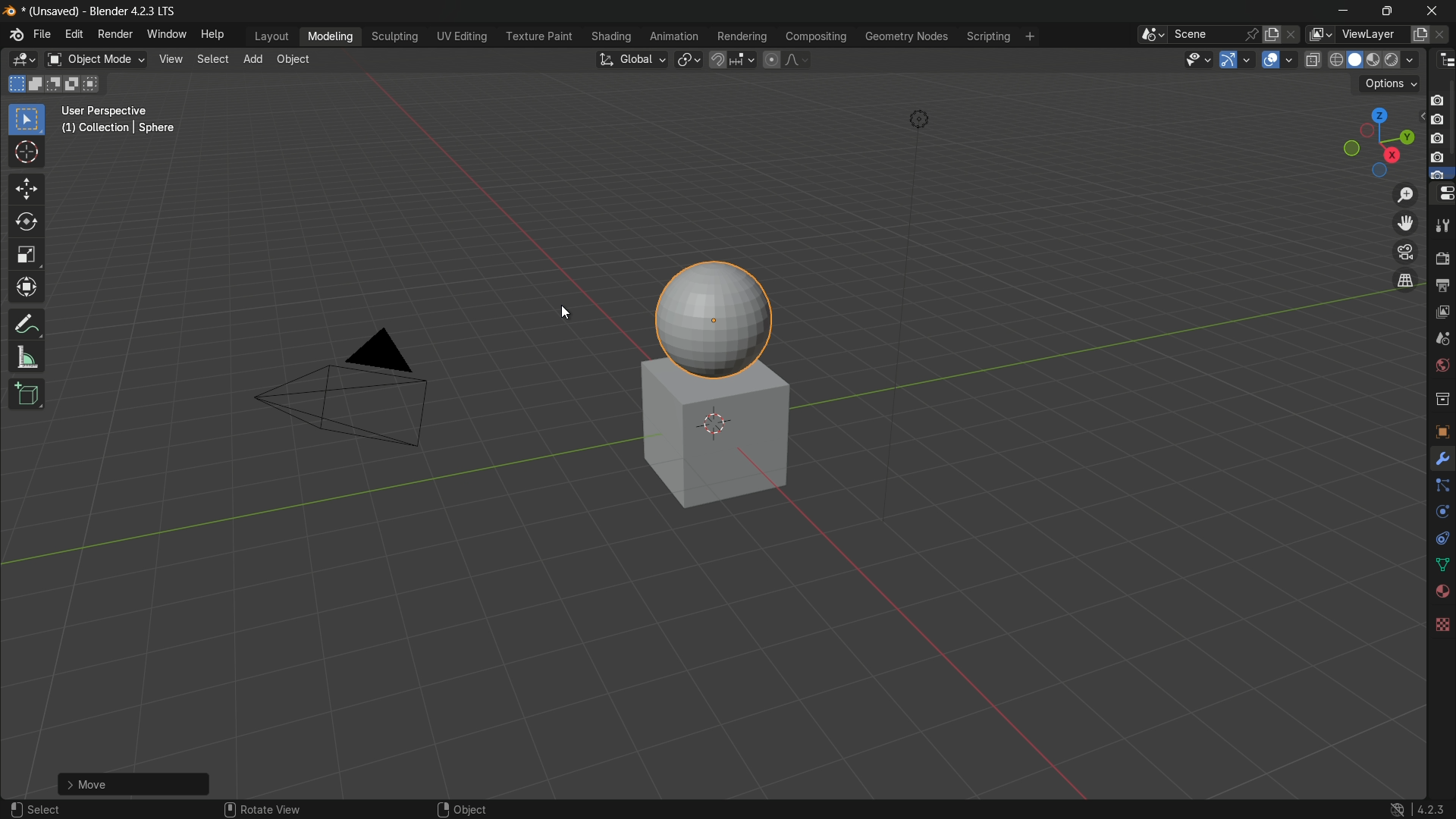 The image size is (1456, 819). I want to click on pin scene to workplace, so click(1253, 35).